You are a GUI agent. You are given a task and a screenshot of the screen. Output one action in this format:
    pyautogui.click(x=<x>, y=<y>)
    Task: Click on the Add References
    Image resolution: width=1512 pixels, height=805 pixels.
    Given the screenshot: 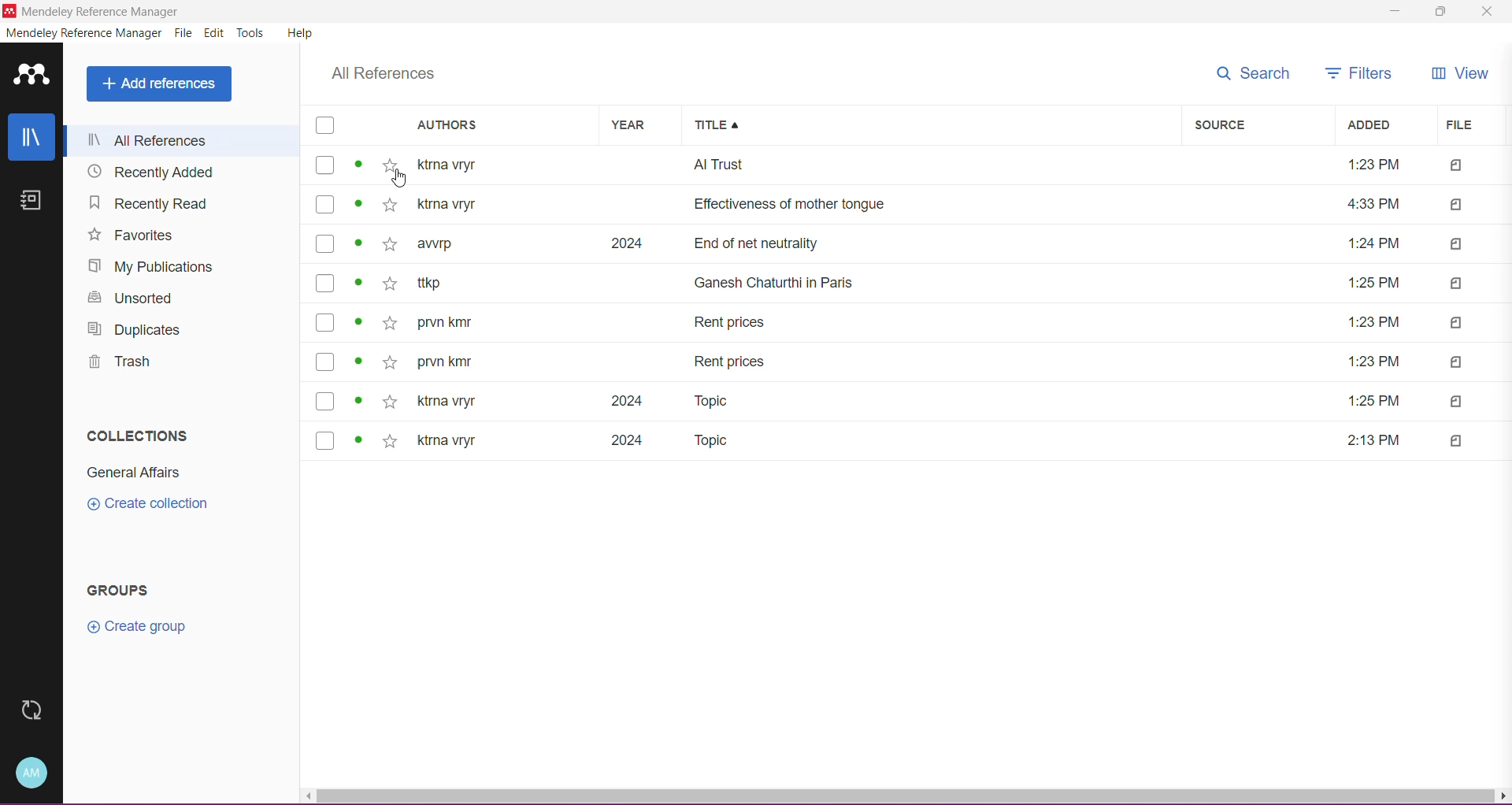 What is the action you would take?
    pyautogui.click(x=159, y=84)
    